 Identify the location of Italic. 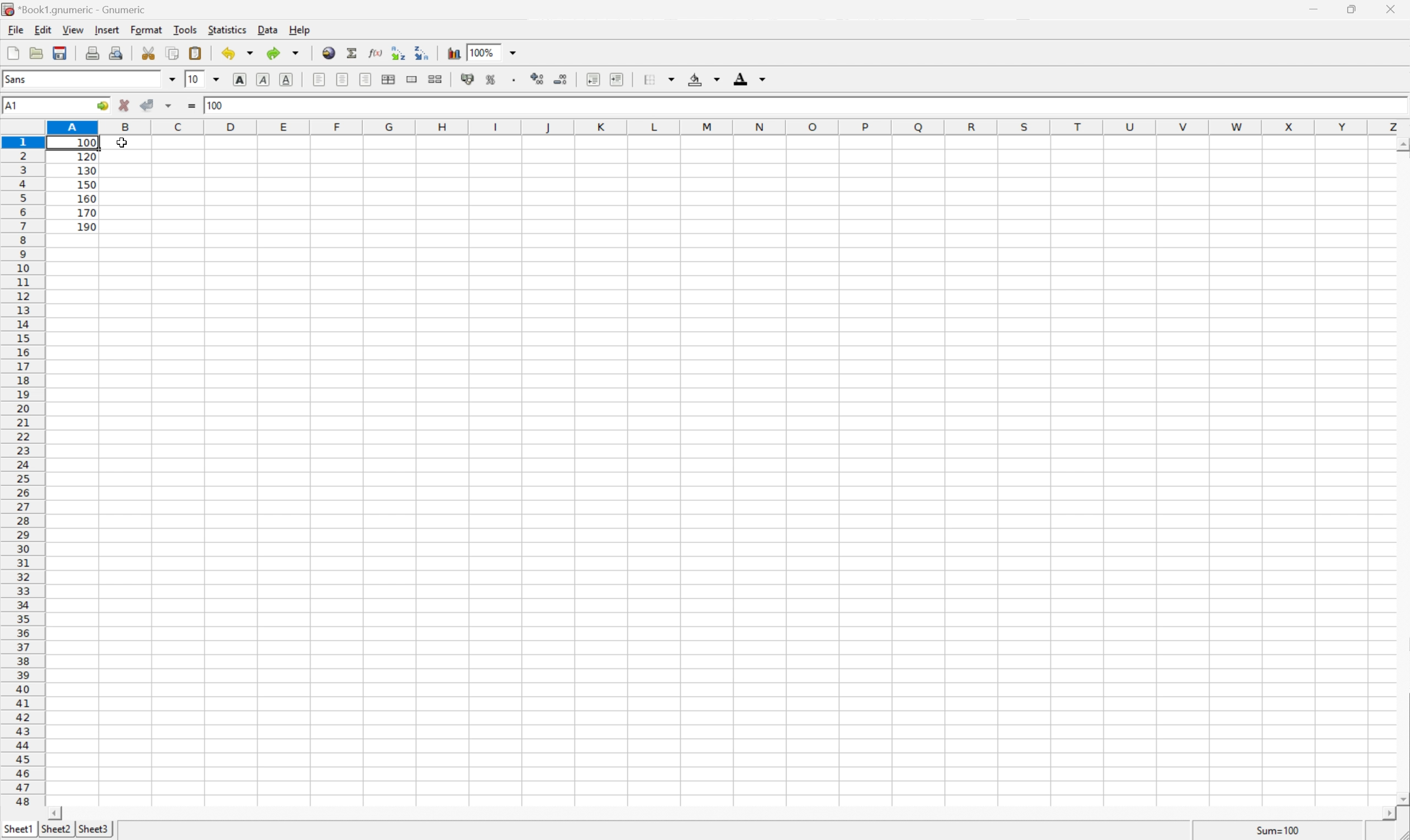
(262, 80).